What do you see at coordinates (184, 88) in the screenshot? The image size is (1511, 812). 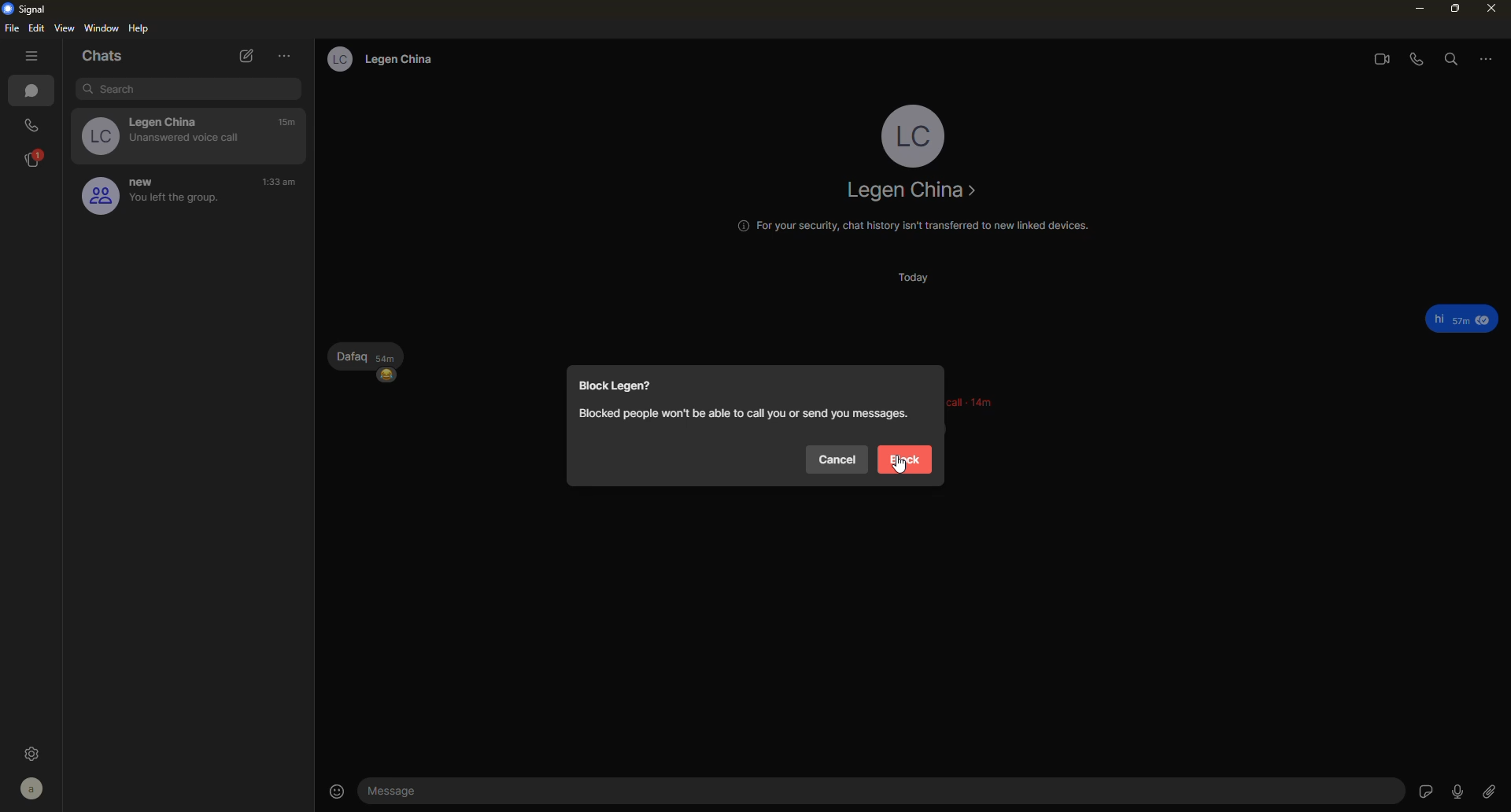 I see `search` at bounding box center [184, 88].